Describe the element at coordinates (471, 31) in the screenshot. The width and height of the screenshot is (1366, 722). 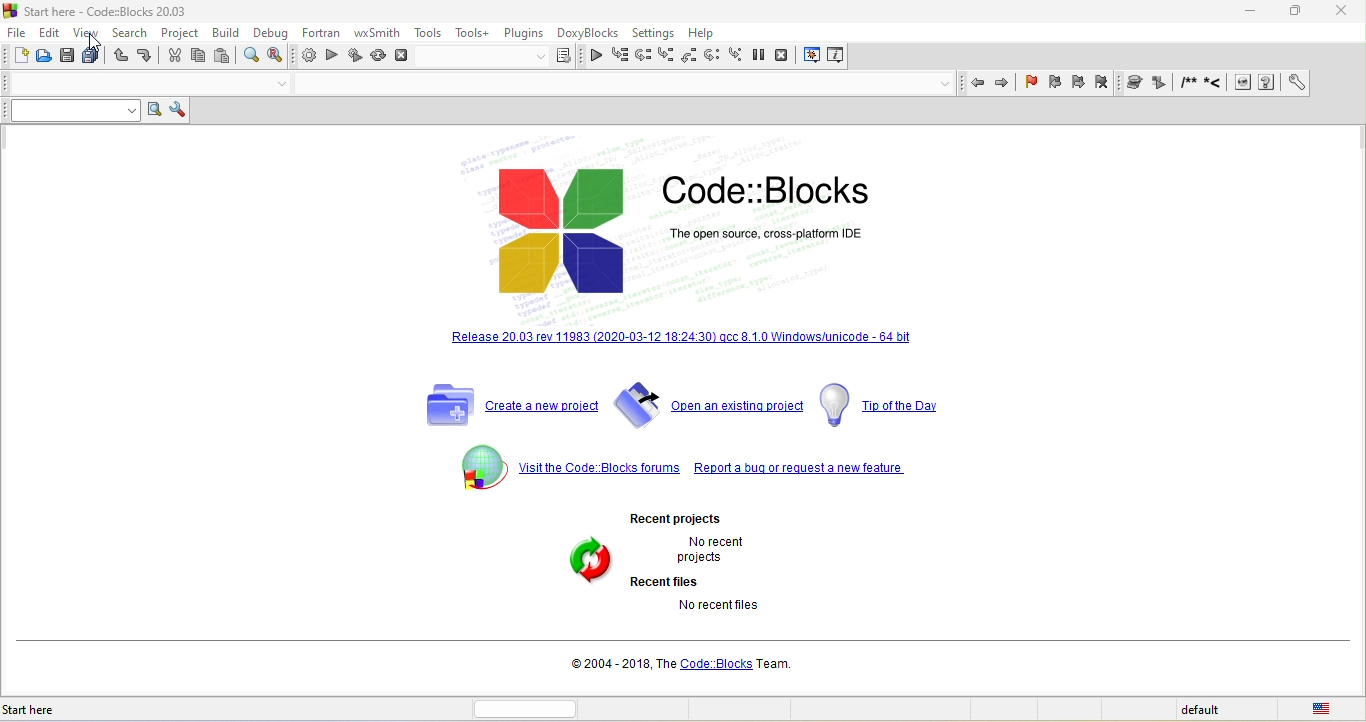
I see `tools+` at that location.